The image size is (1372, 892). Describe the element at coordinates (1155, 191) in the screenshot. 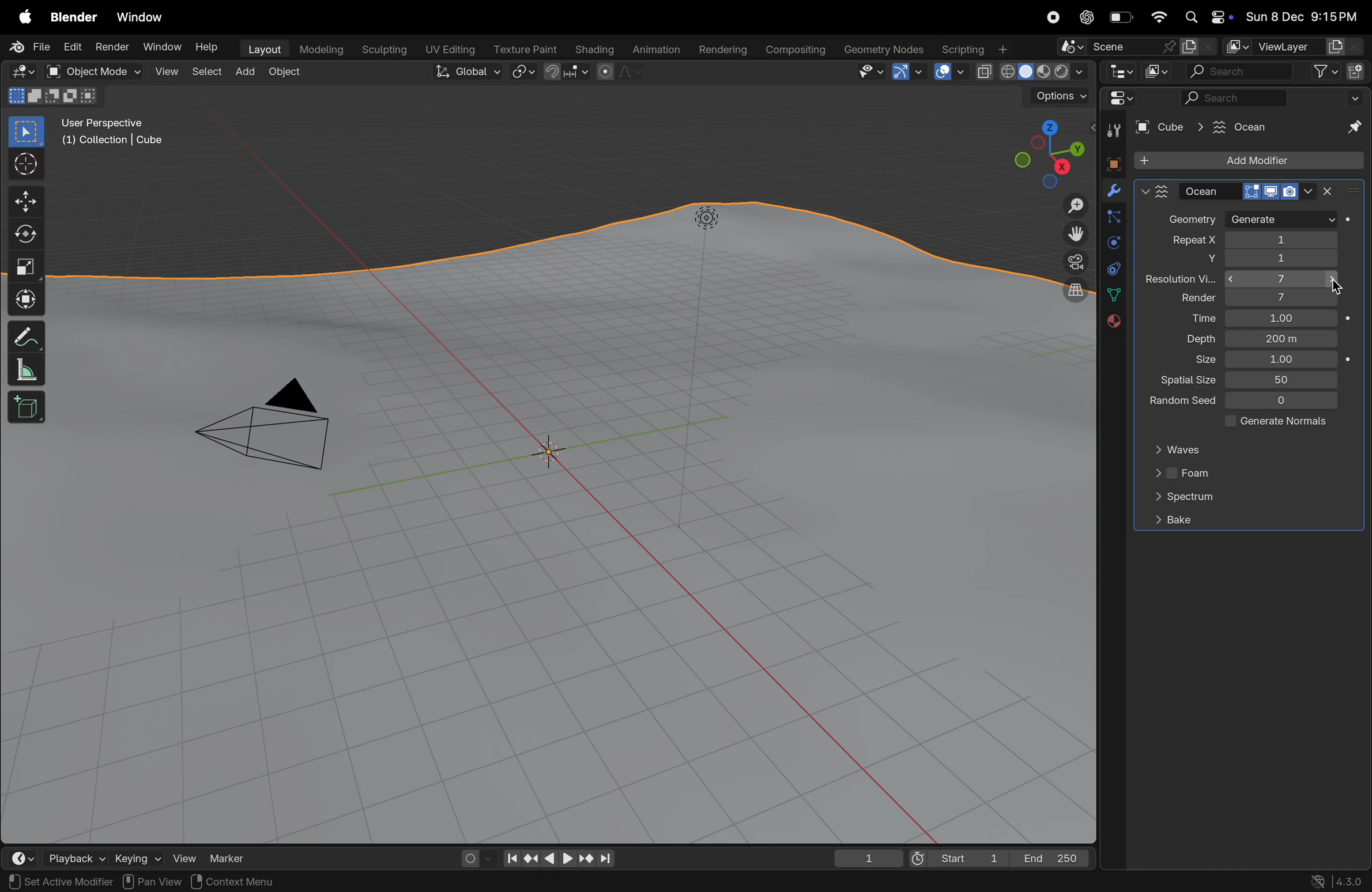

I see `ocean options` at that location.